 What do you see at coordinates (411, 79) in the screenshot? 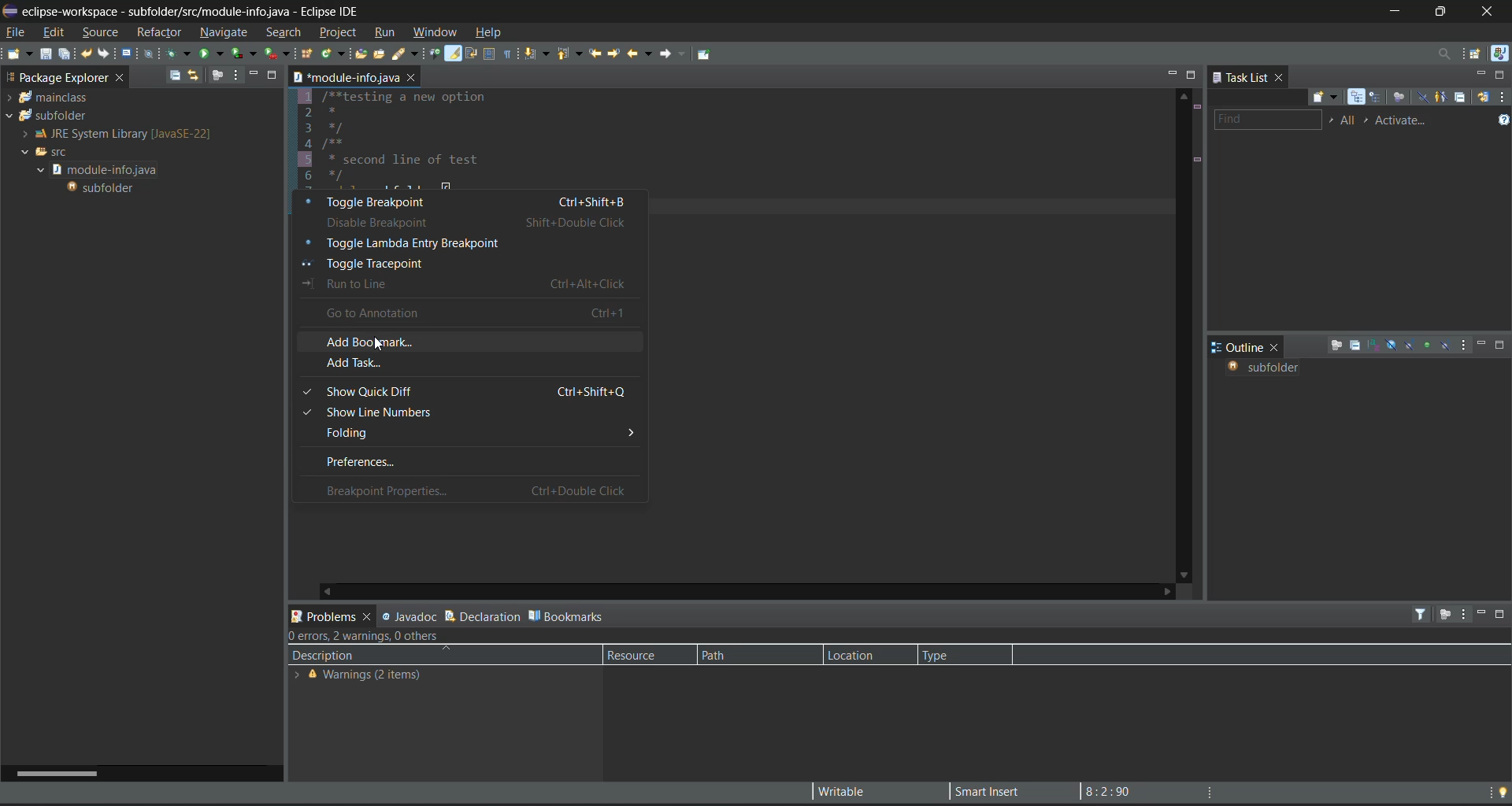
I see `close` at bounding box center [411, 79].